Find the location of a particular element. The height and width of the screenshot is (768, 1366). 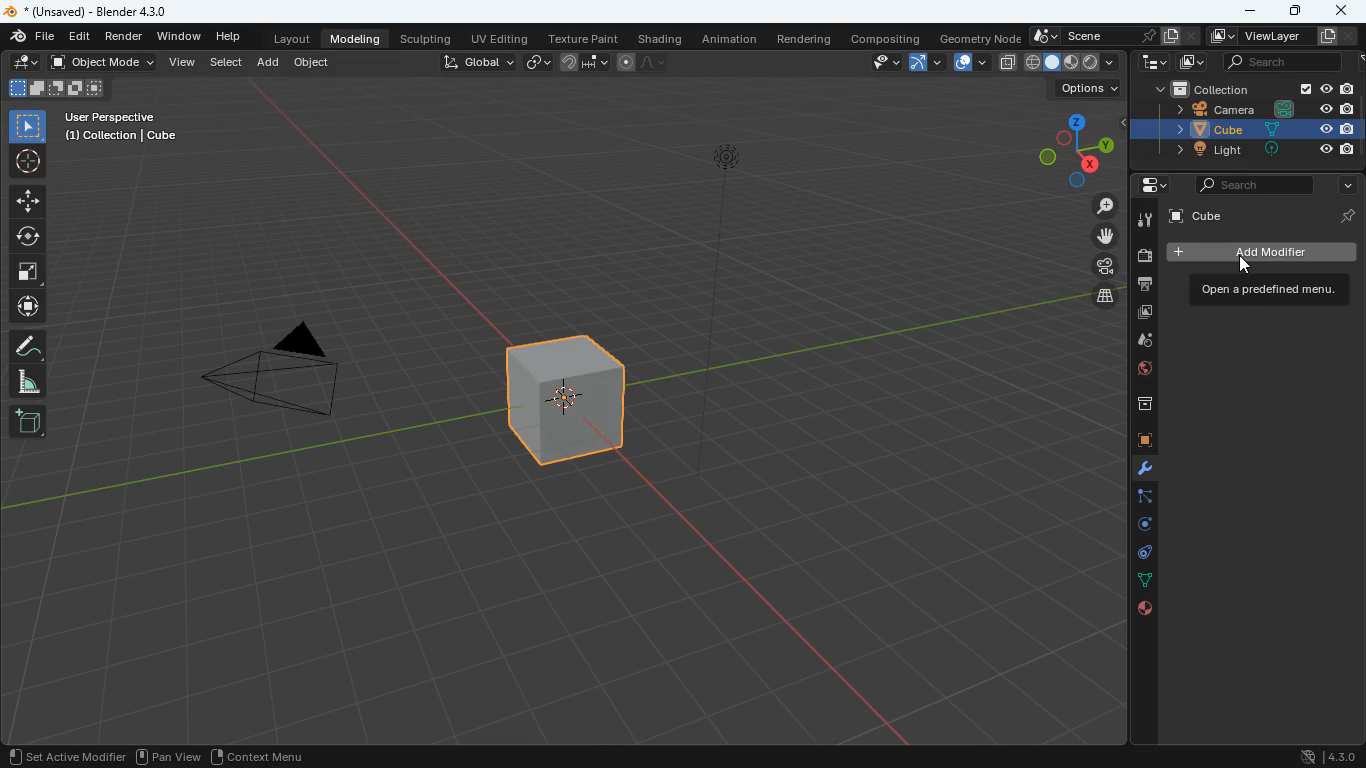

edge is located at coordinates (1138, 498).